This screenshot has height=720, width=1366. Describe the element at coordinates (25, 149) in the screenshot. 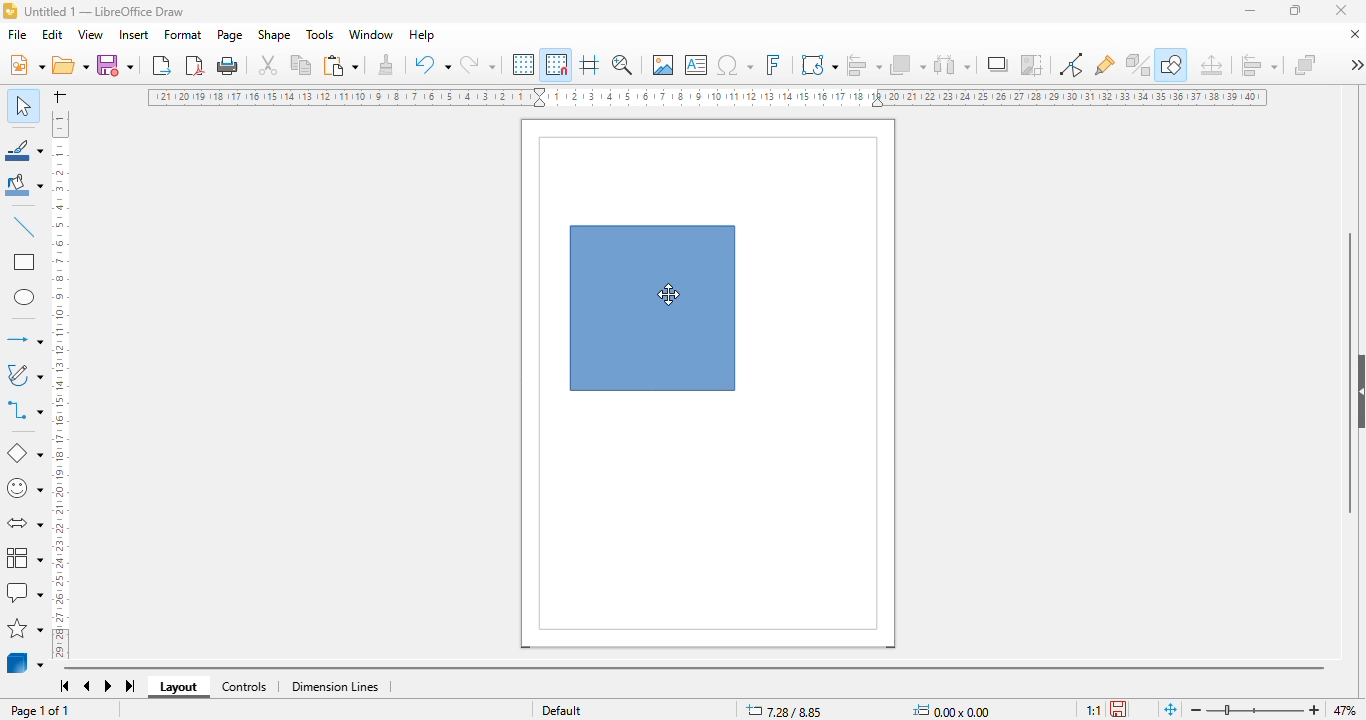

I see `line color` at that location.